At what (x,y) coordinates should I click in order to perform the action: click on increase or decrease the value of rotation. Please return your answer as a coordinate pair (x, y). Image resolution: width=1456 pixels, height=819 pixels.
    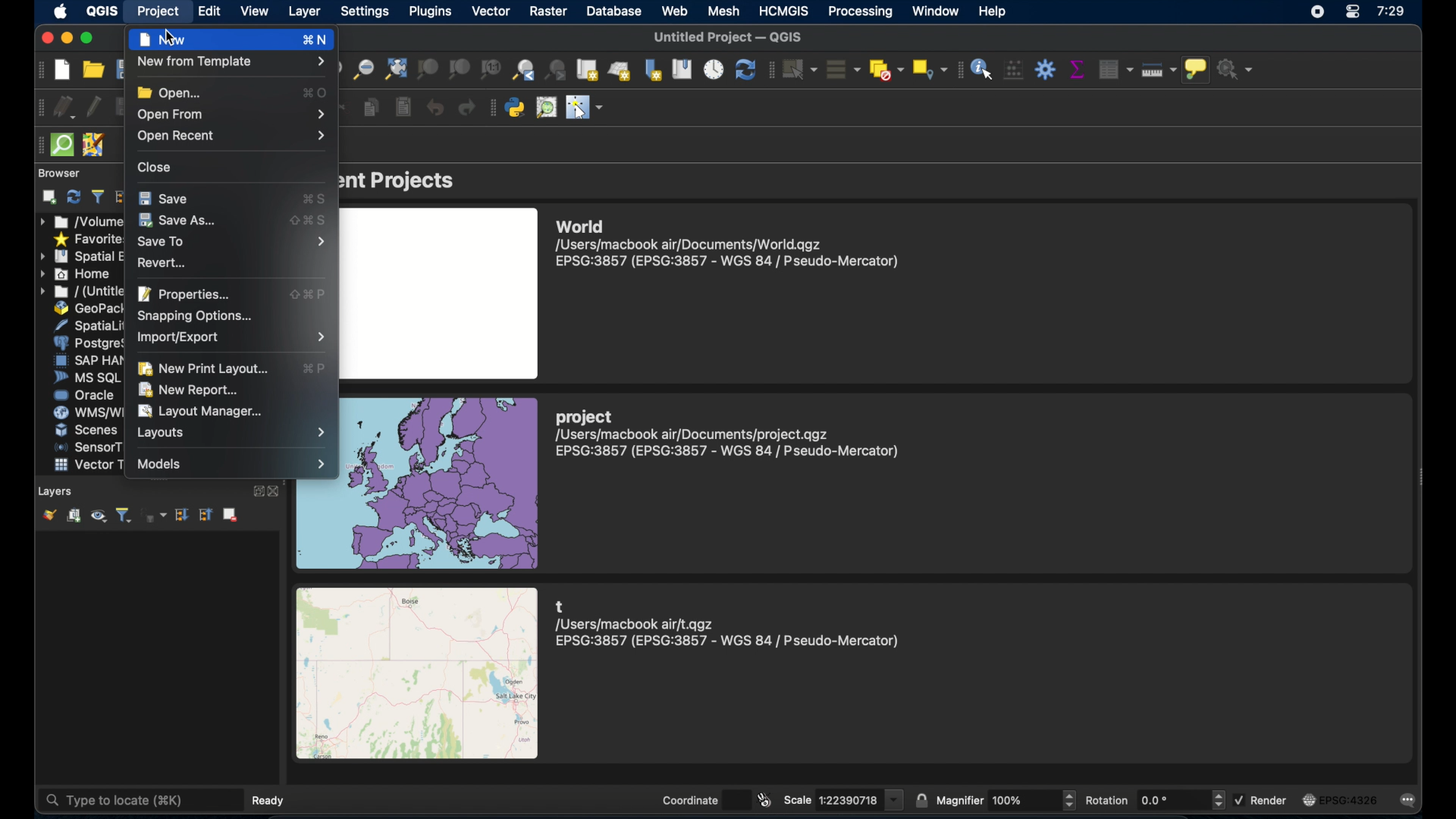
    Looking at the image, I should click on (1219, 800).